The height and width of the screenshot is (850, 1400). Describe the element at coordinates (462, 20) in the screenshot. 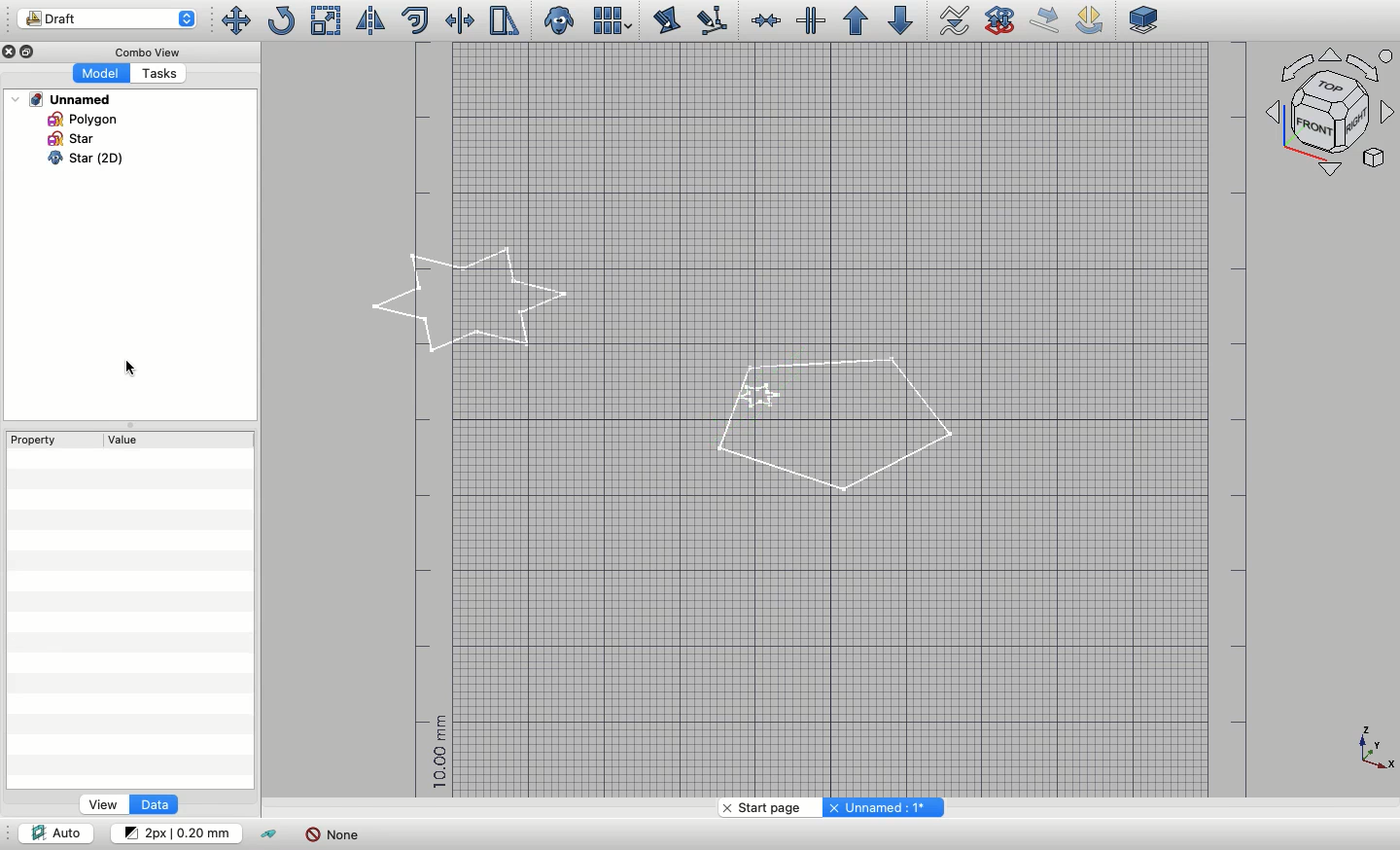

I see `Trimex` at that location.